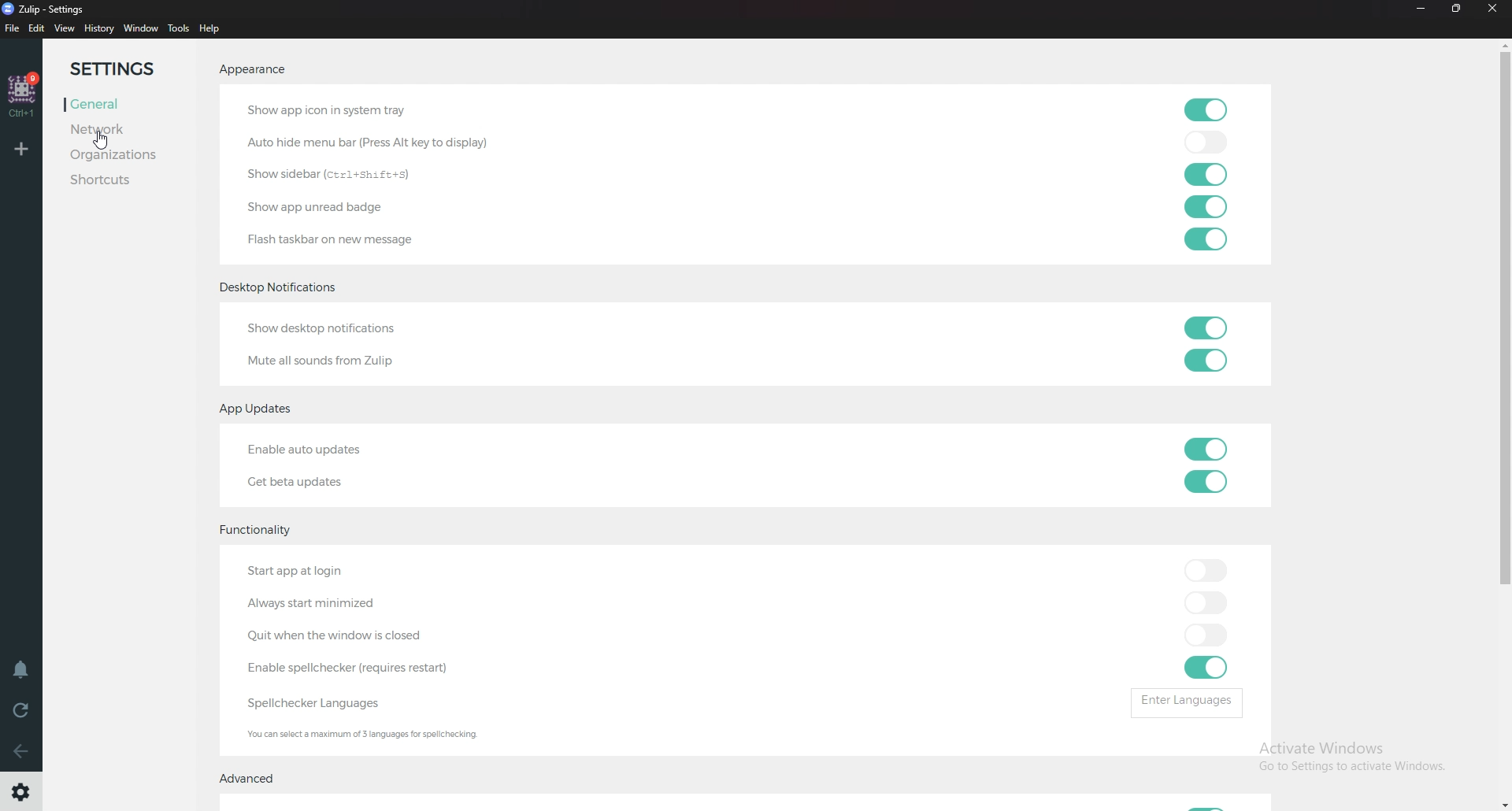  Describe the element at coordinates (22, 792) in the screenshot. I see `Settings` at that location.